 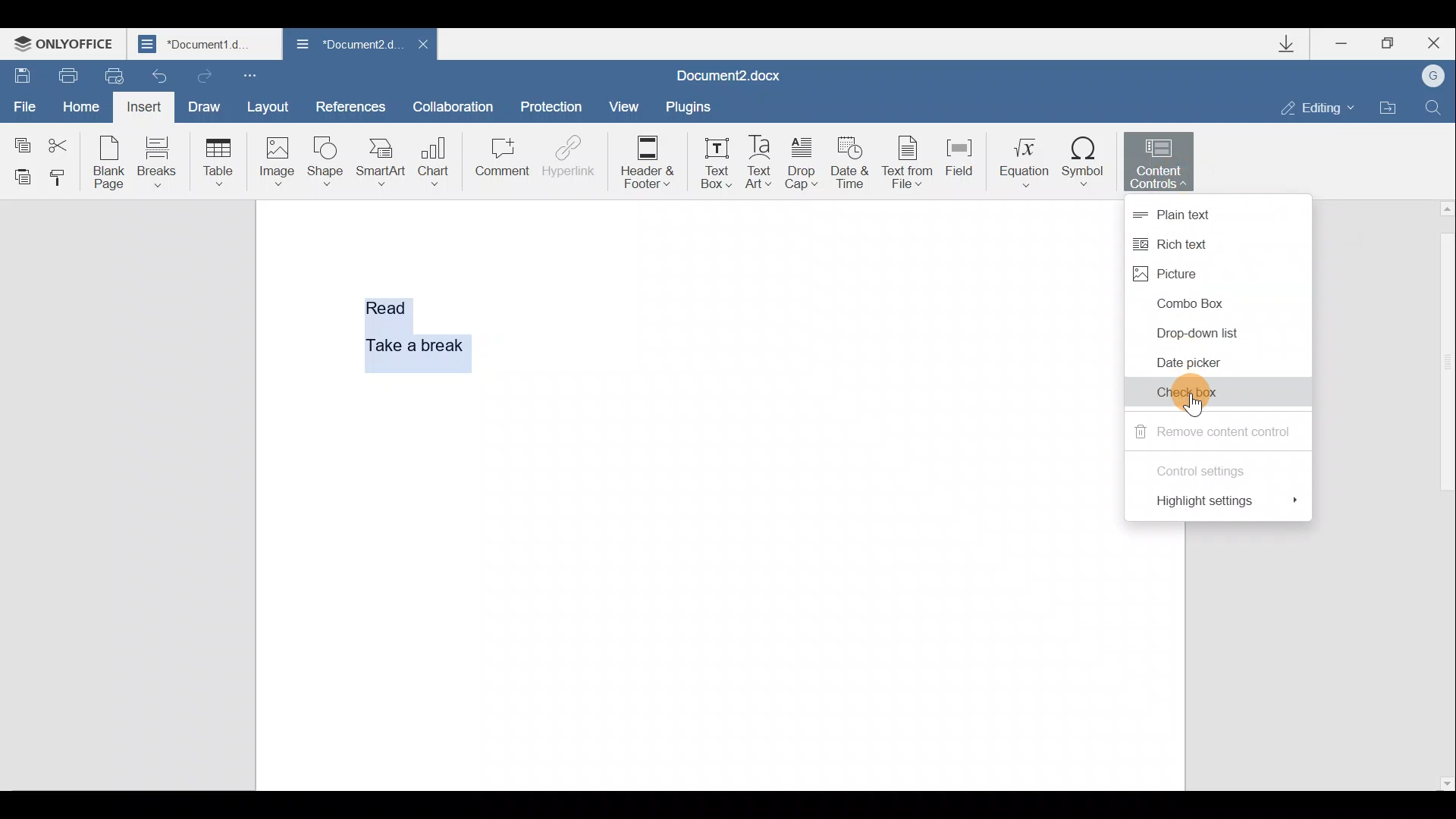 What do you see at coordinates (63, 140) in the screenshot?
I see `Cut` at bounding box center [63, 140].